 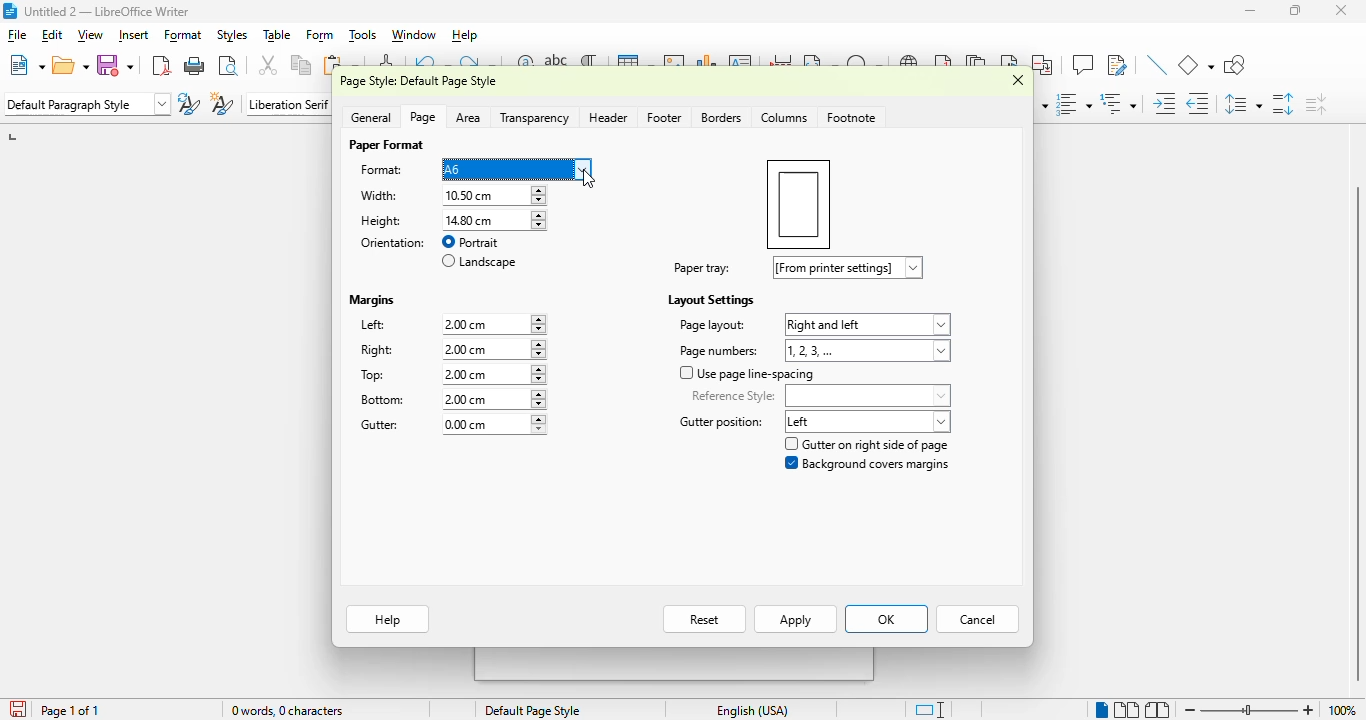 What do you see at coordinates (811, 351) in the screenshot?
I see `page numbers: 1,2,3,...` at bounding box center [811, 351].